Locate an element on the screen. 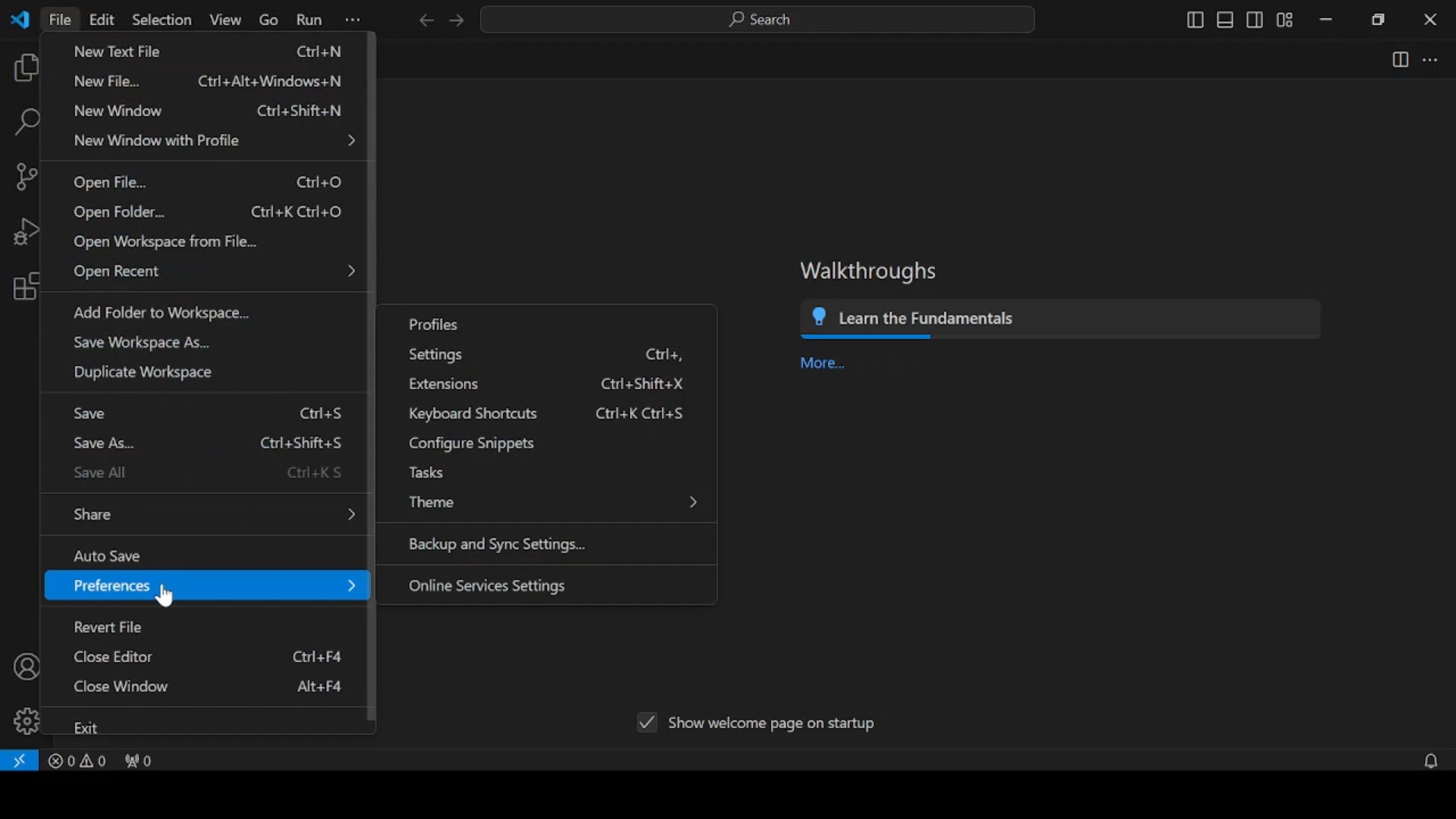  share menu is located at coordinates (215, 515).